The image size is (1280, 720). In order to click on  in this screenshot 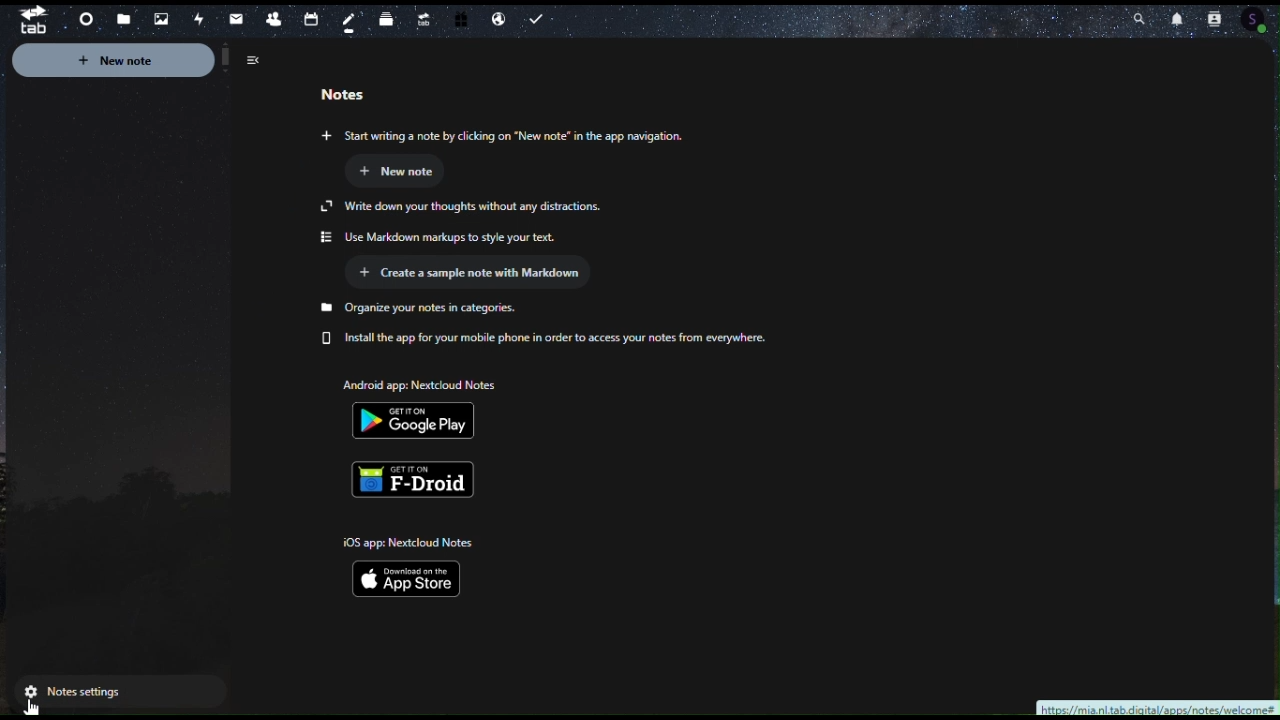, I will do `click(400, 170)`.